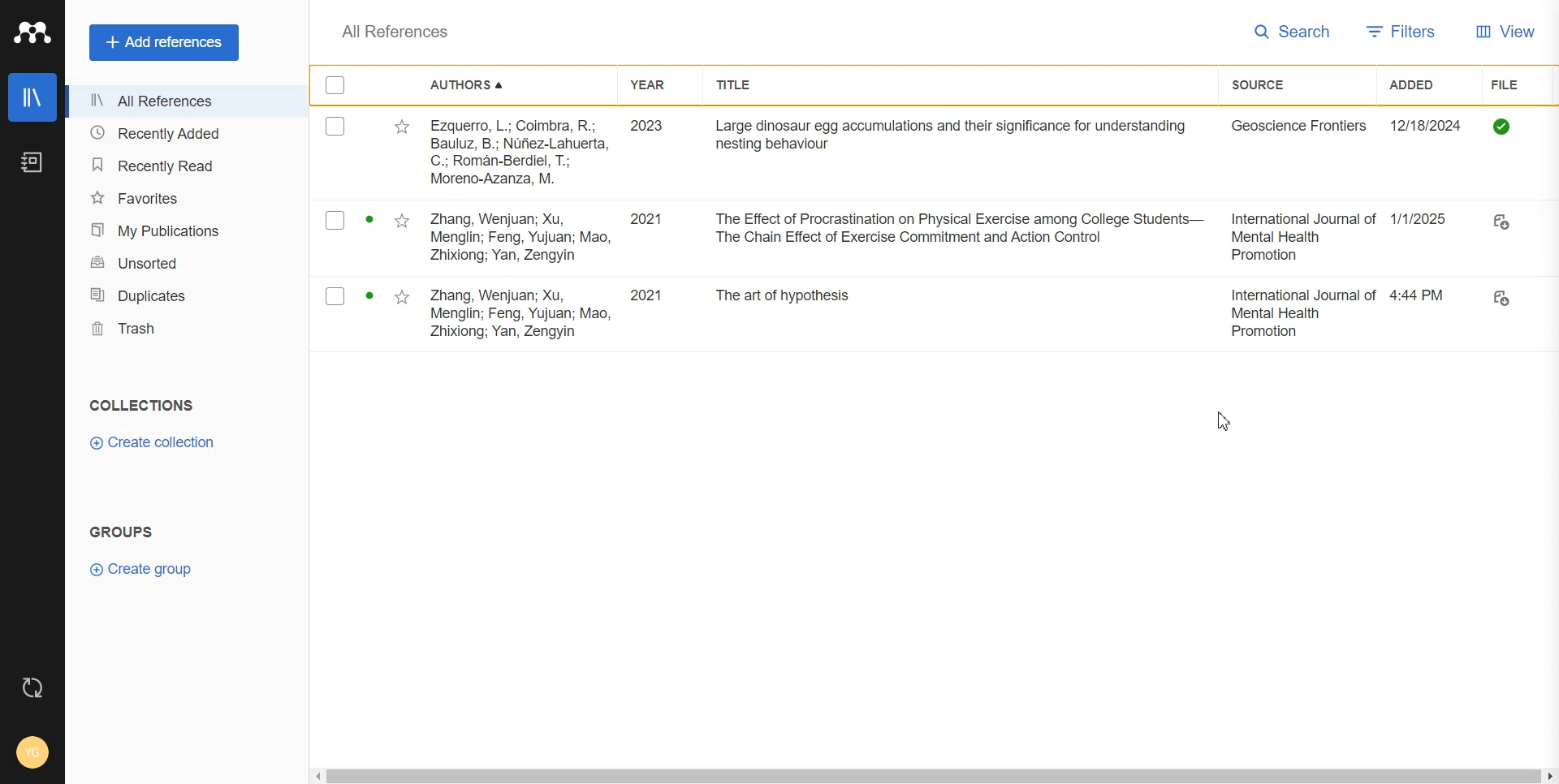 The height and width of the screenshot is (784, 1559). I want to click on All references, so click(170, 101).